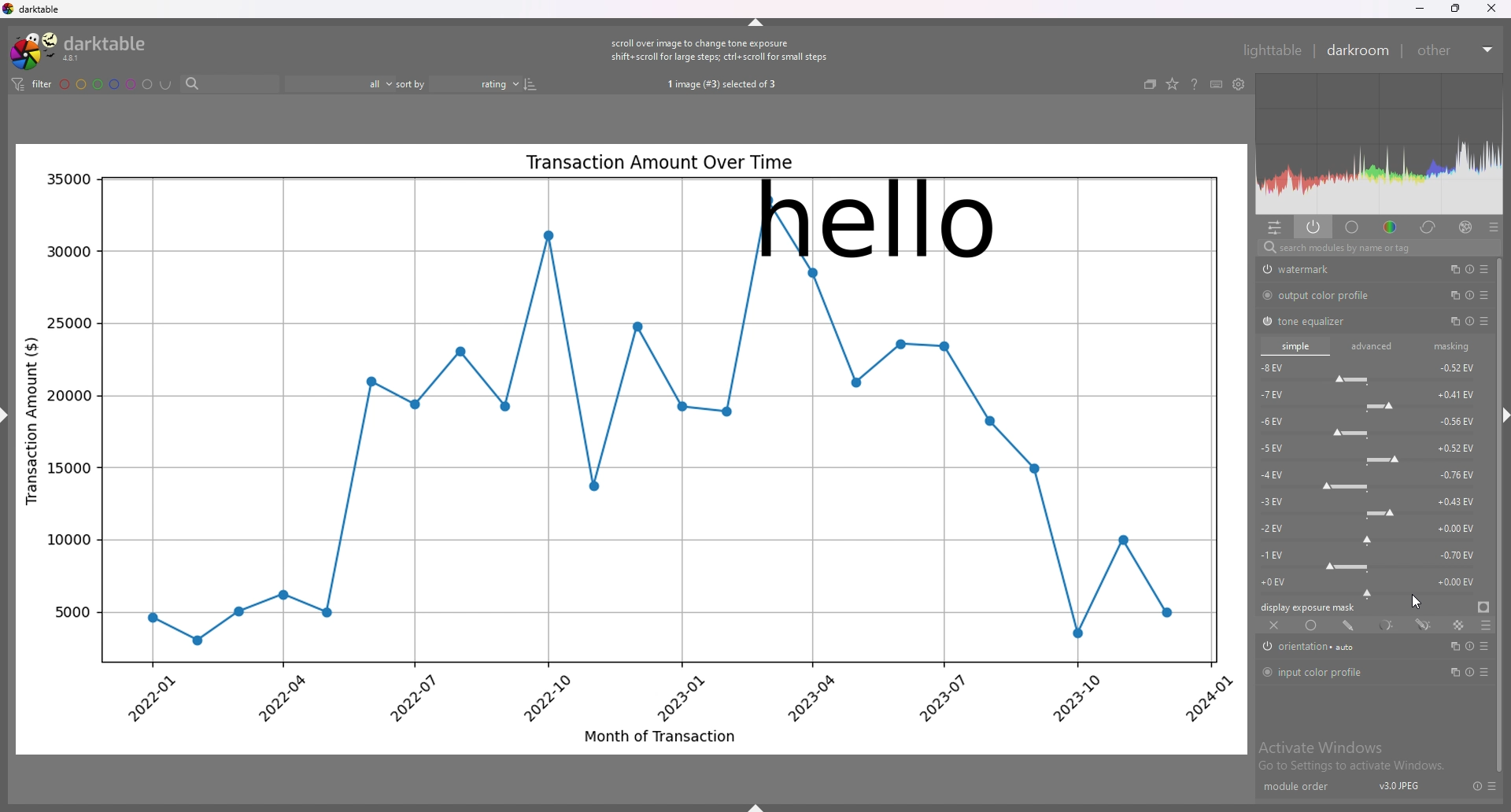 Image resolution: width=1511 pixels, height=812 pixels. Describe the element at coordinates (721, 50) in the screenshot. I see `scroll over image to change tone exposure shift+scroll for large steps; ctrl+ scroll for small steps.` at that location.